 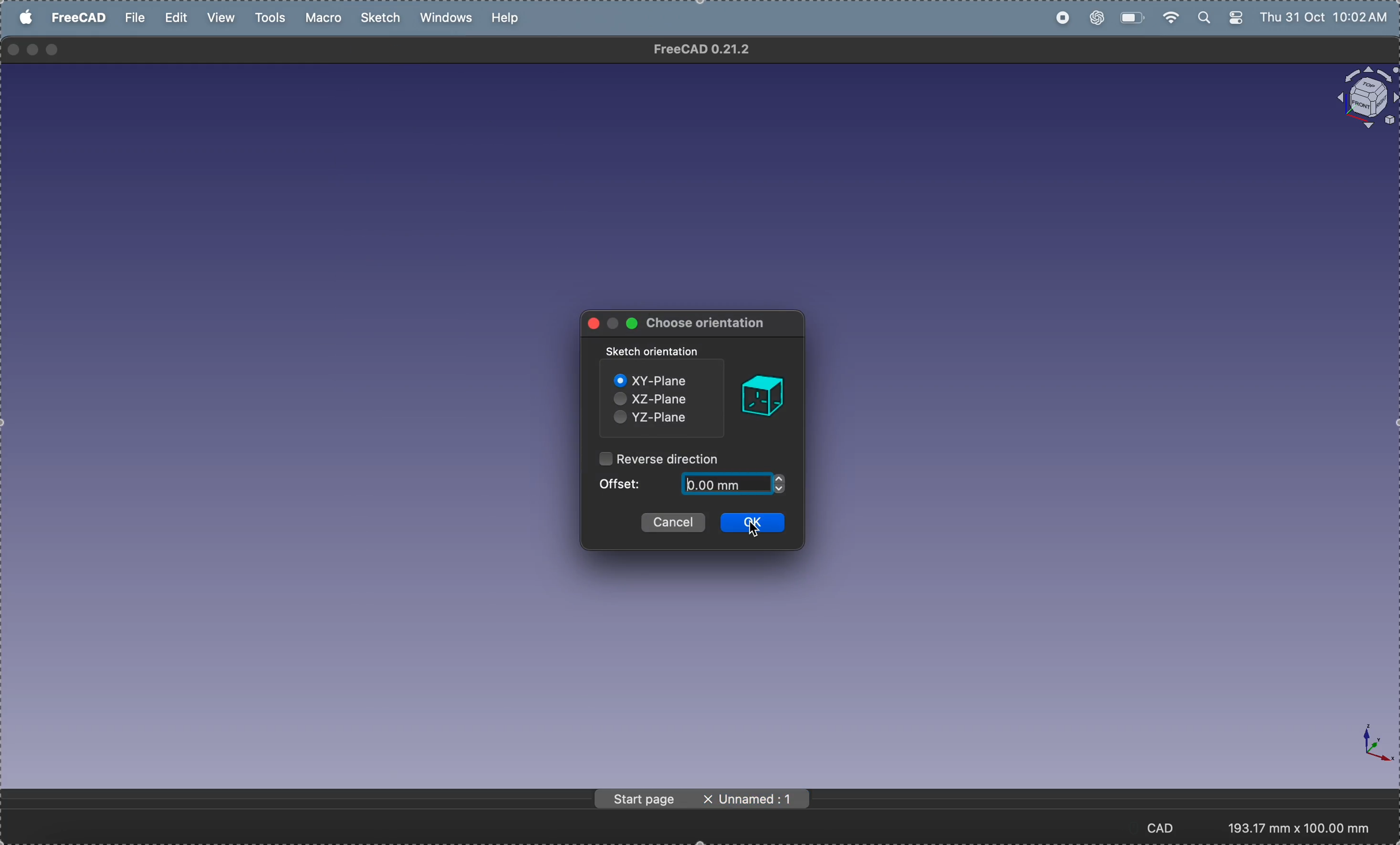 I want to click on Checked Checkbox, so click(x=619, y=380).